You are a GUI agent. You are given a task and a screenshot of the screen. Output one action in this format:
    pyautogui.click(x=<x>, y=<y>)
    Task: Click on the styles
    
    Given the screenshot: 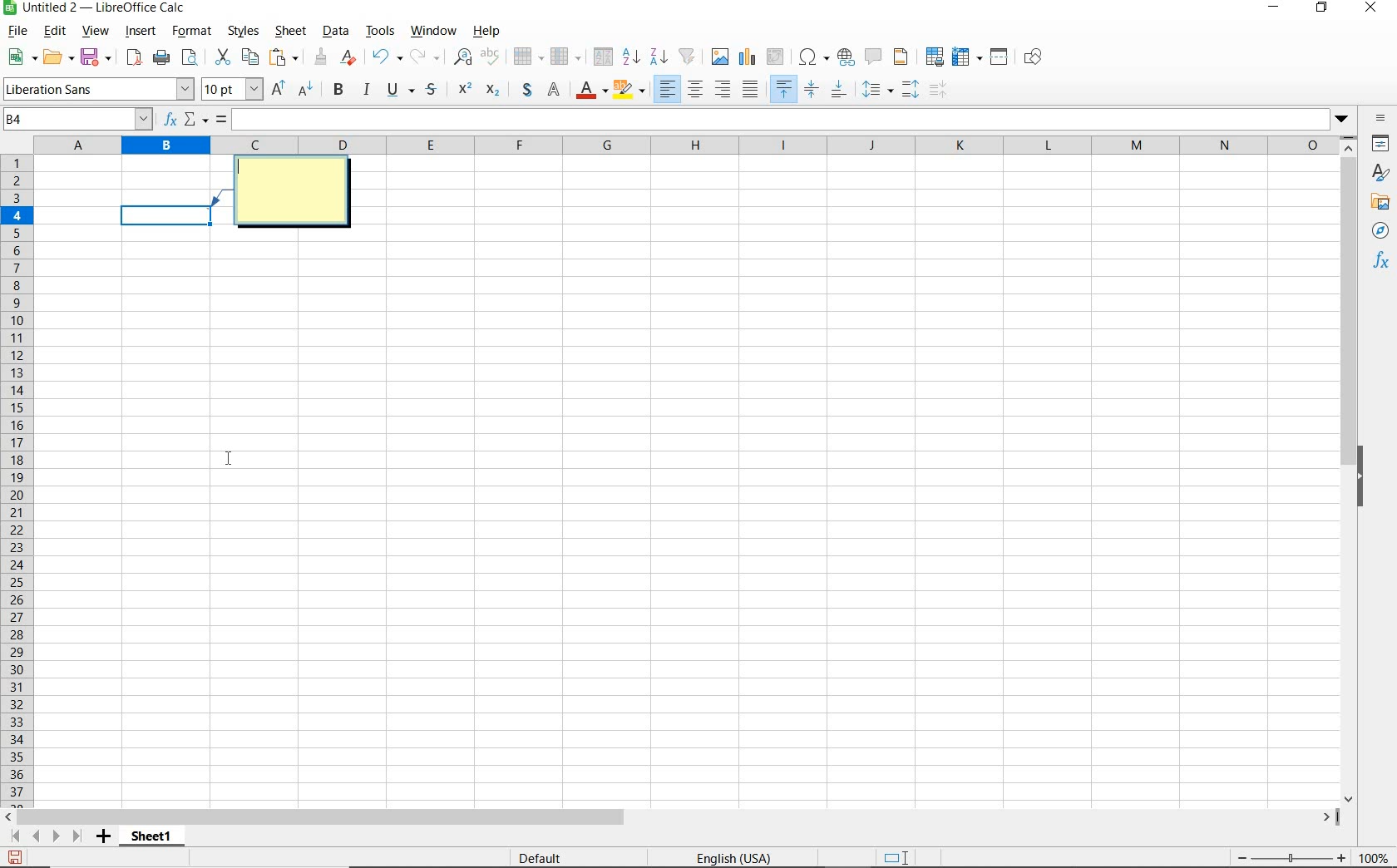 What is the action you would take?
    pyautogui.click(x=1380, y=170)
    